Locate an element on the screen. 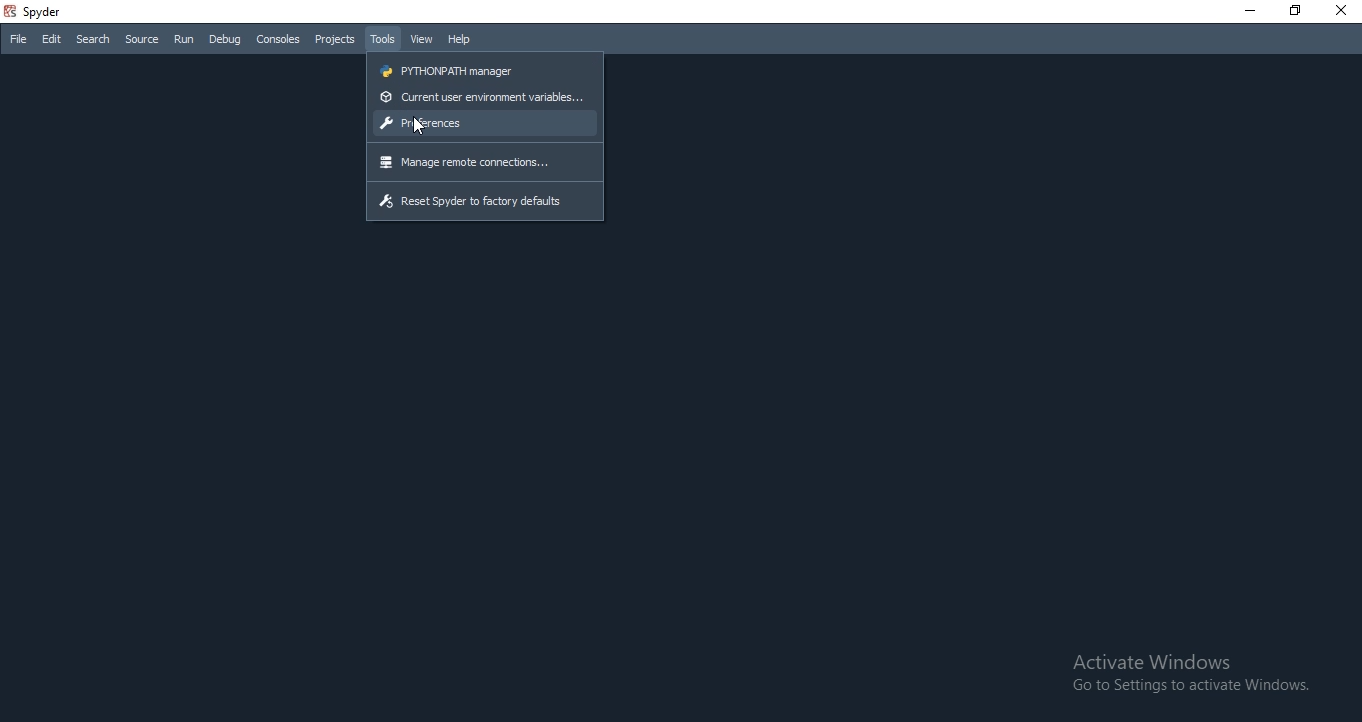  Close is located at coordinates (1342, 10).